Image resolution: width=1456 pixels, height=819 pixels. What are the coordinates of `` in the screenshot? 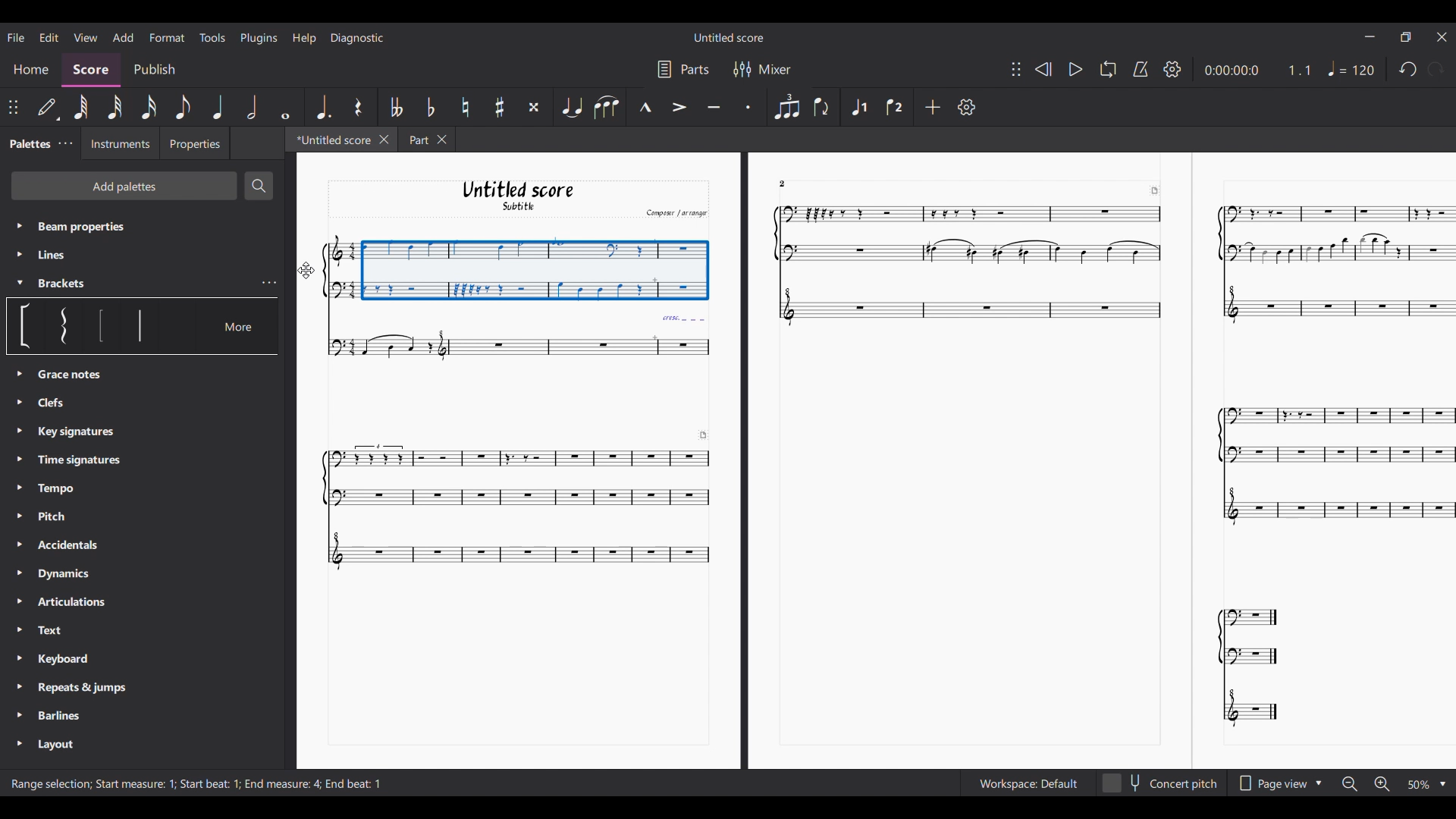 It's located at (23, 687).